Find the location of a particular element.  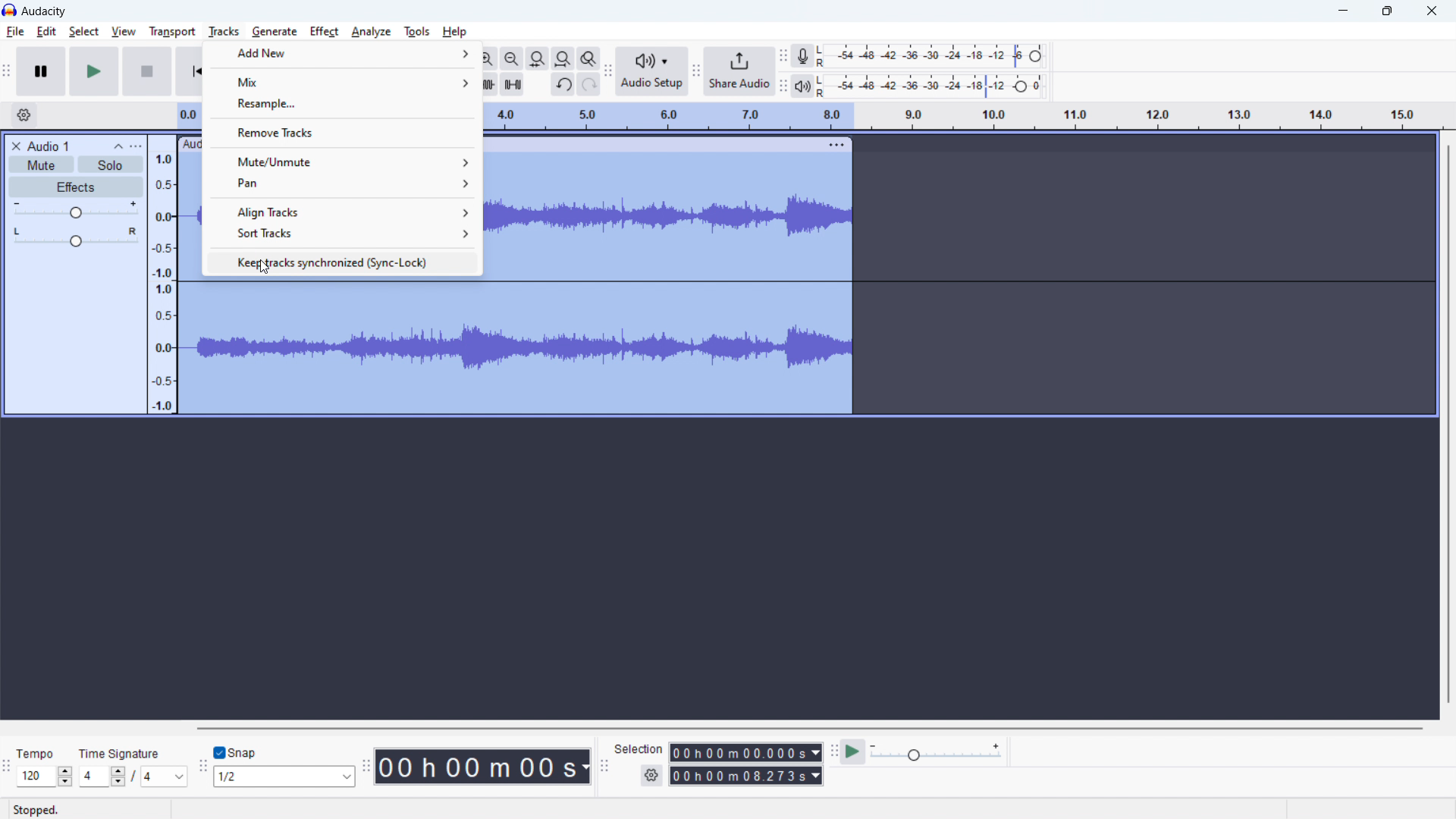

audio setup toolbar is located at coordinates (609, 71).